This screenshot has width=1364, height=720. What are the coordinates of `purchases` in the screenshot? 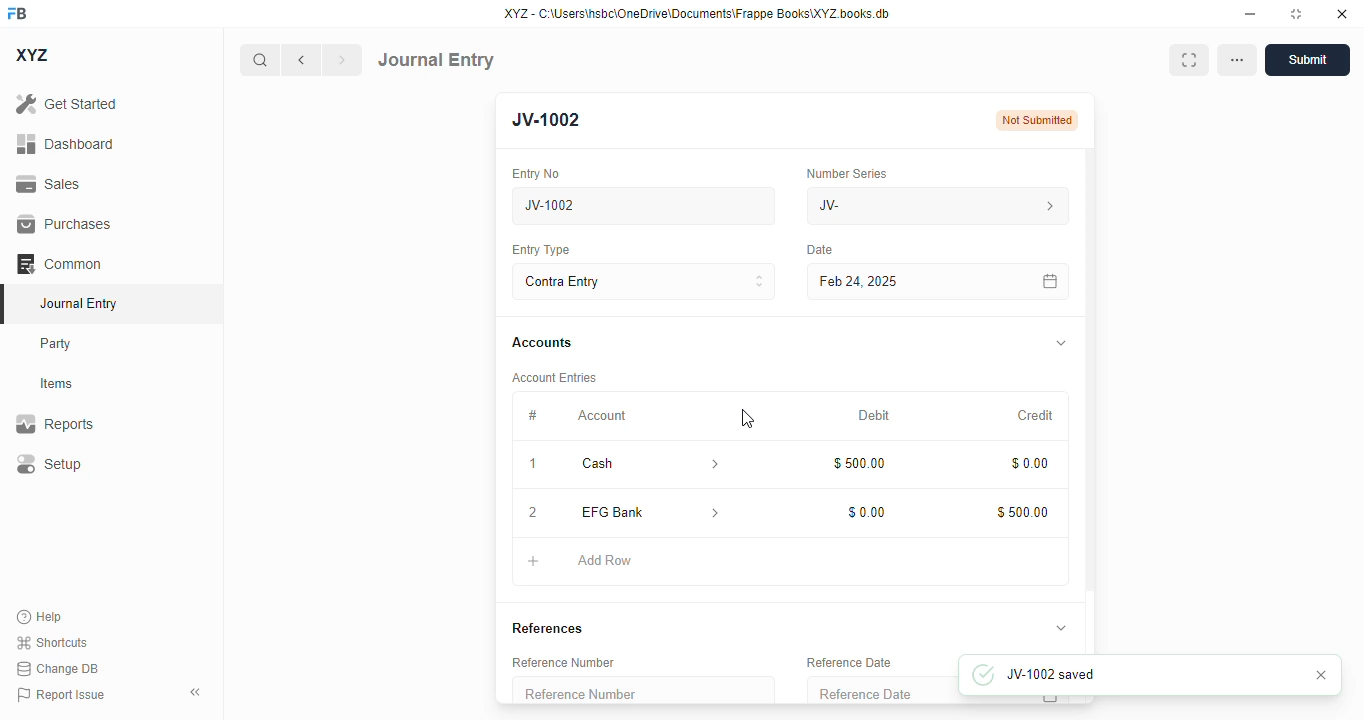 It's located at (66, 224).